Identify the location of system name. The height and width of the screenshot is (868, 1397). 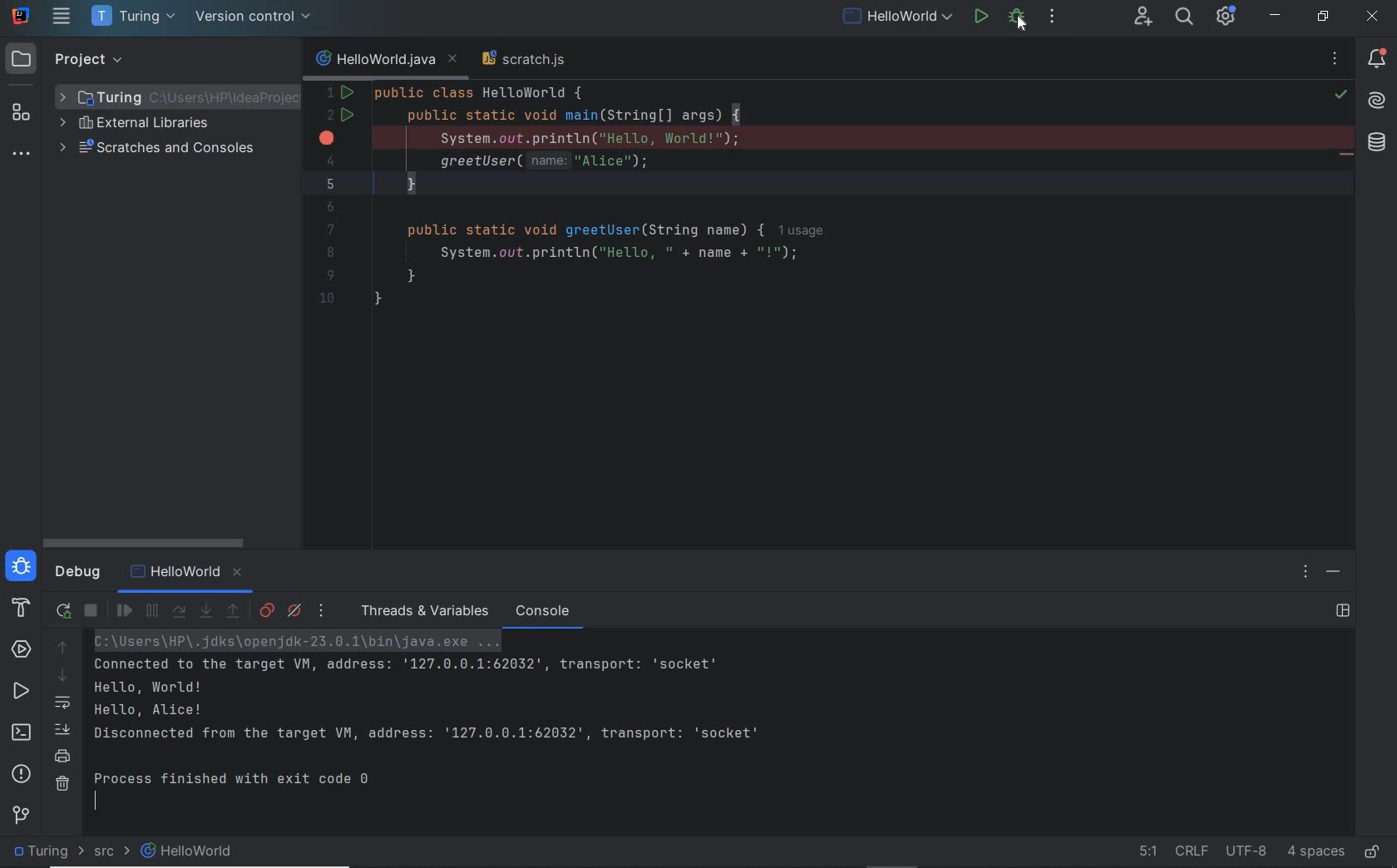
(21, 16).